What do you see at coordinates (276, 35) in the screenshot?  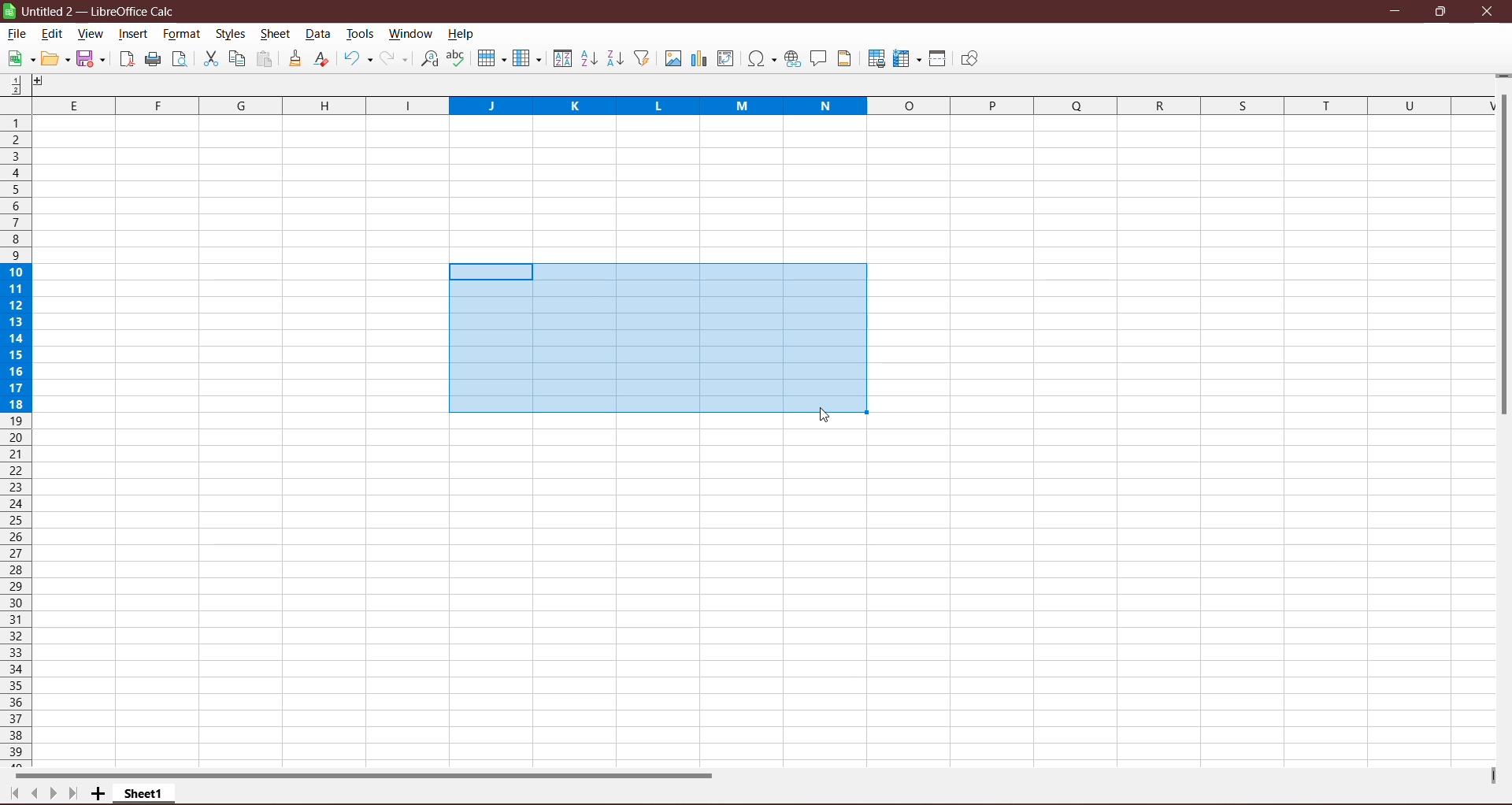 I see `Sheet` at bounding box center [276, 35].